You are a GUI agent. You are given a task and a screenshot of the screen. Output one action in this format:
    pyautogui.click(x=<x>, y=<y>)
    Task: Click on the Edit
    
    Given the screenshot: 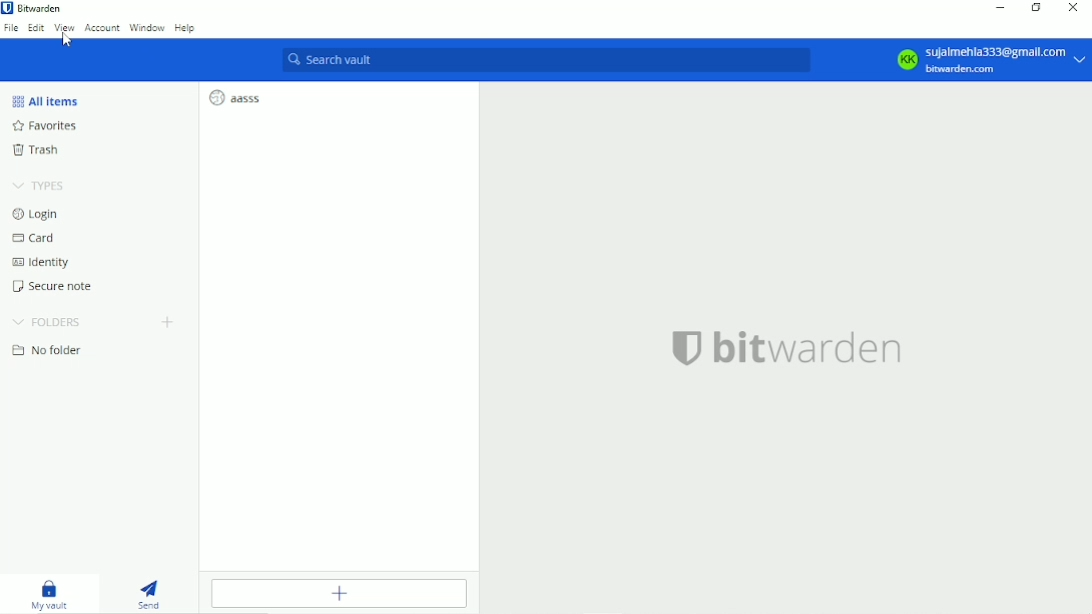 What is the action you would take?
    pyautogui.click(x=36, y=27)
    